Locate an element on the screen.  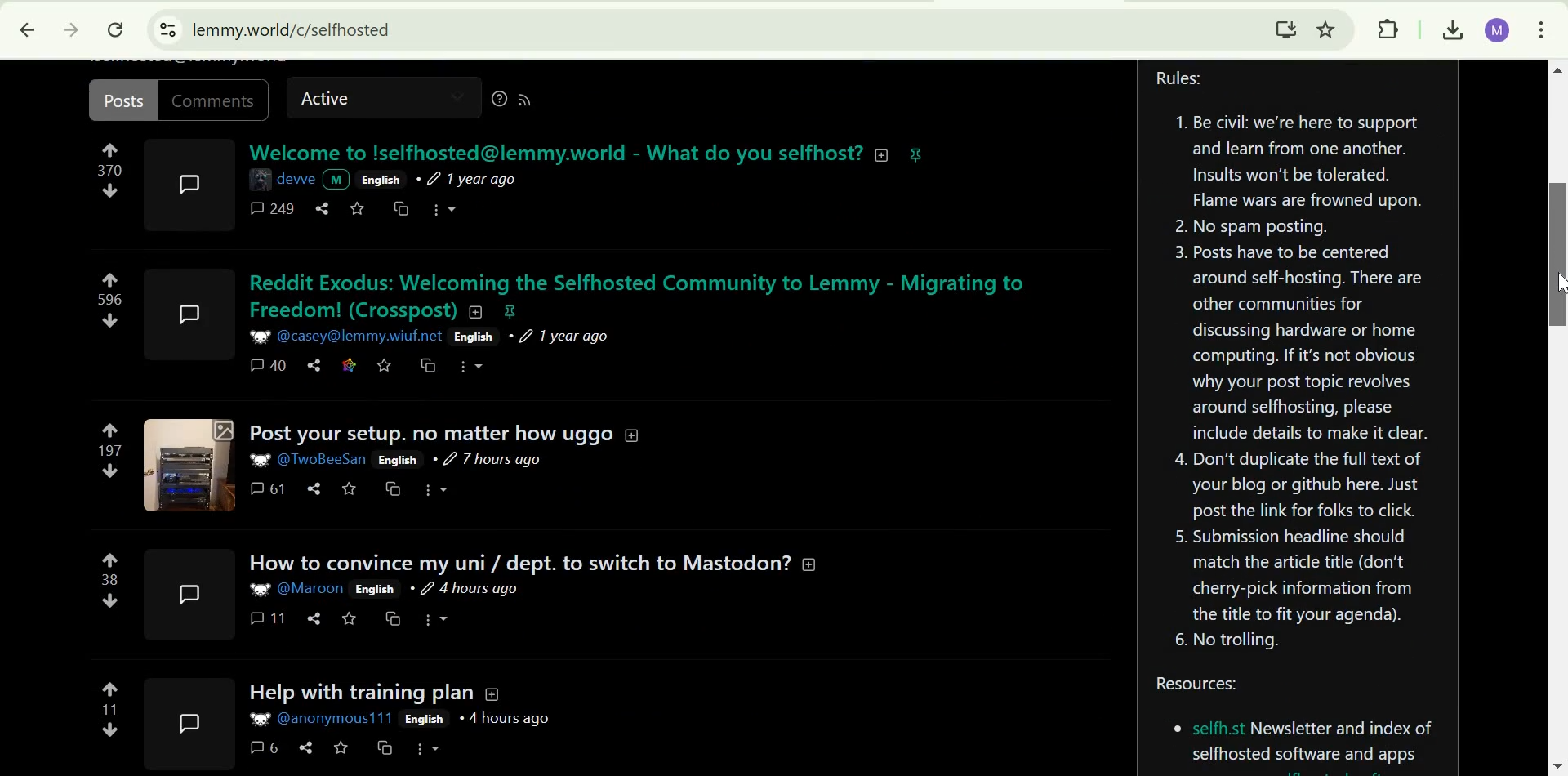
collapse is located at coordinates (631, 433).